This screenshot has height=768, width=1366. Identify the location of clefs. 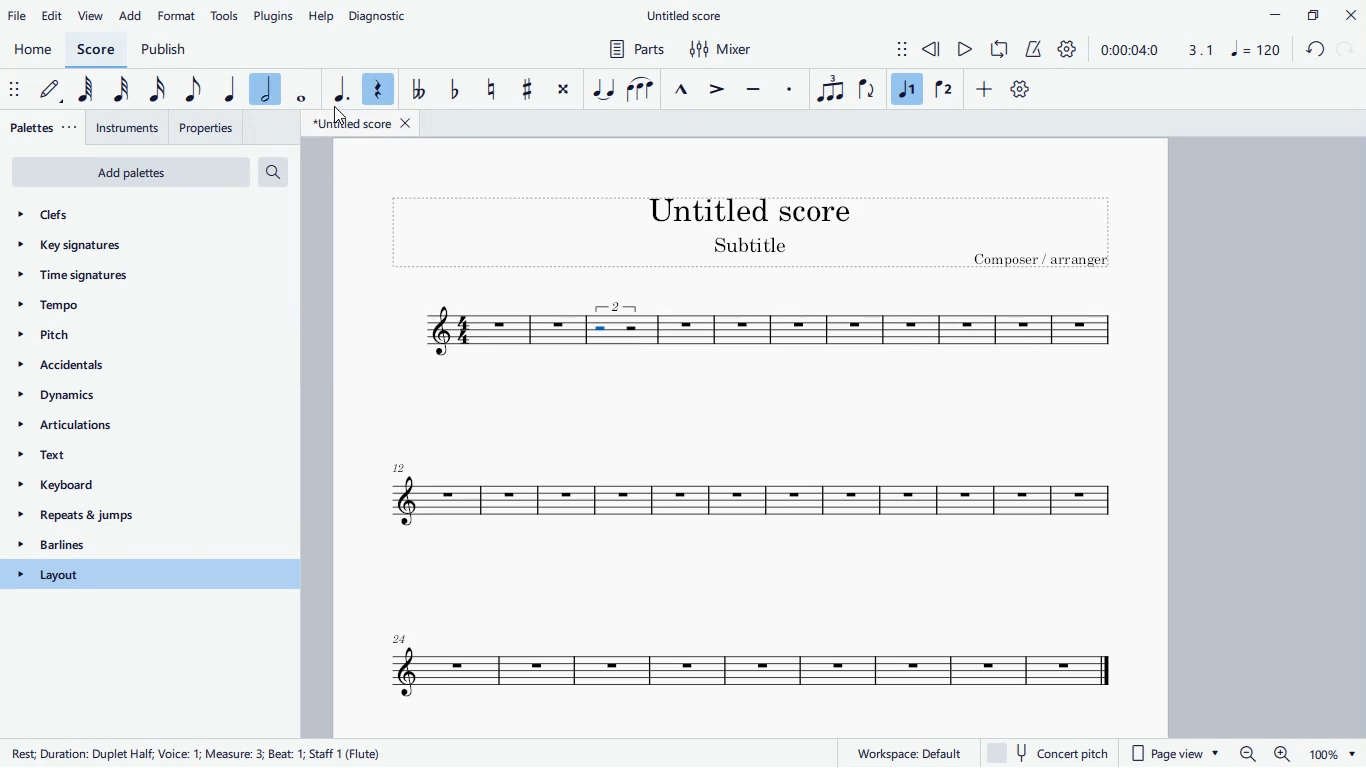
(129, 215).